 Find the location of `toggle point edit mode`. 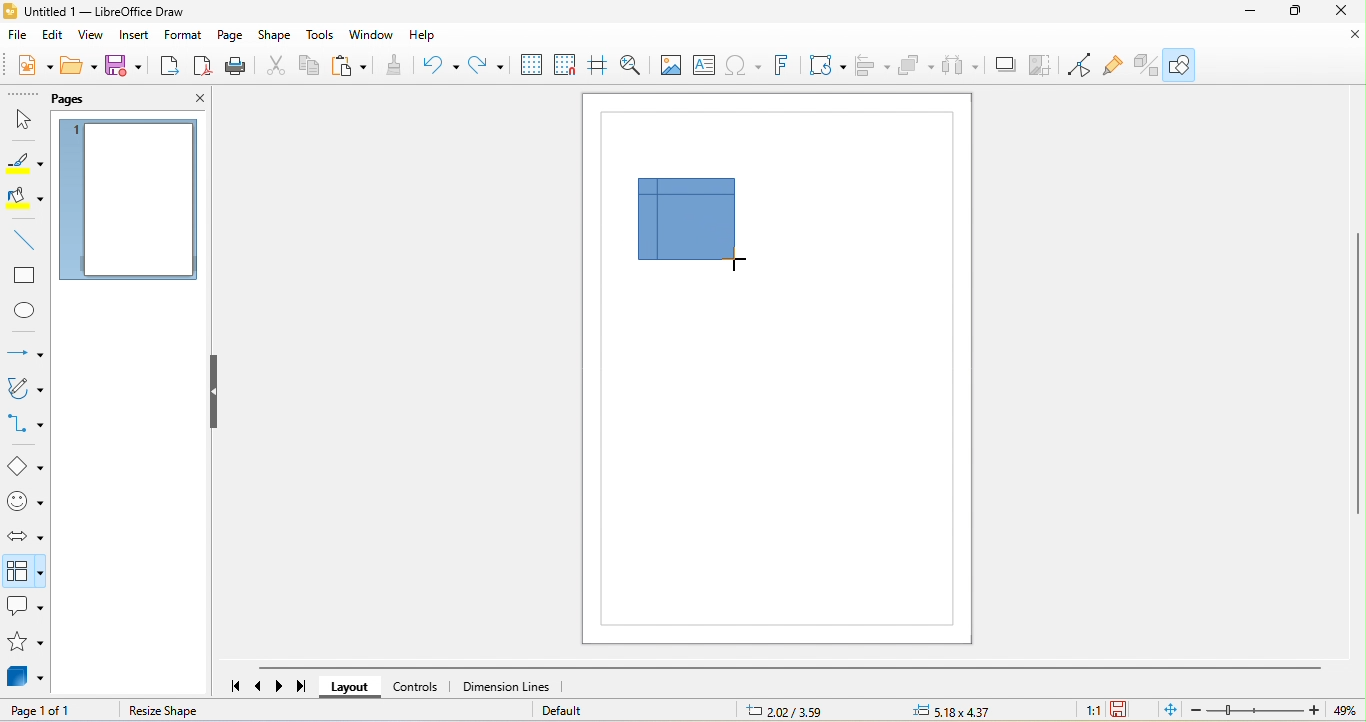

toggle point edit mode is located at coordinates (1084, 66).